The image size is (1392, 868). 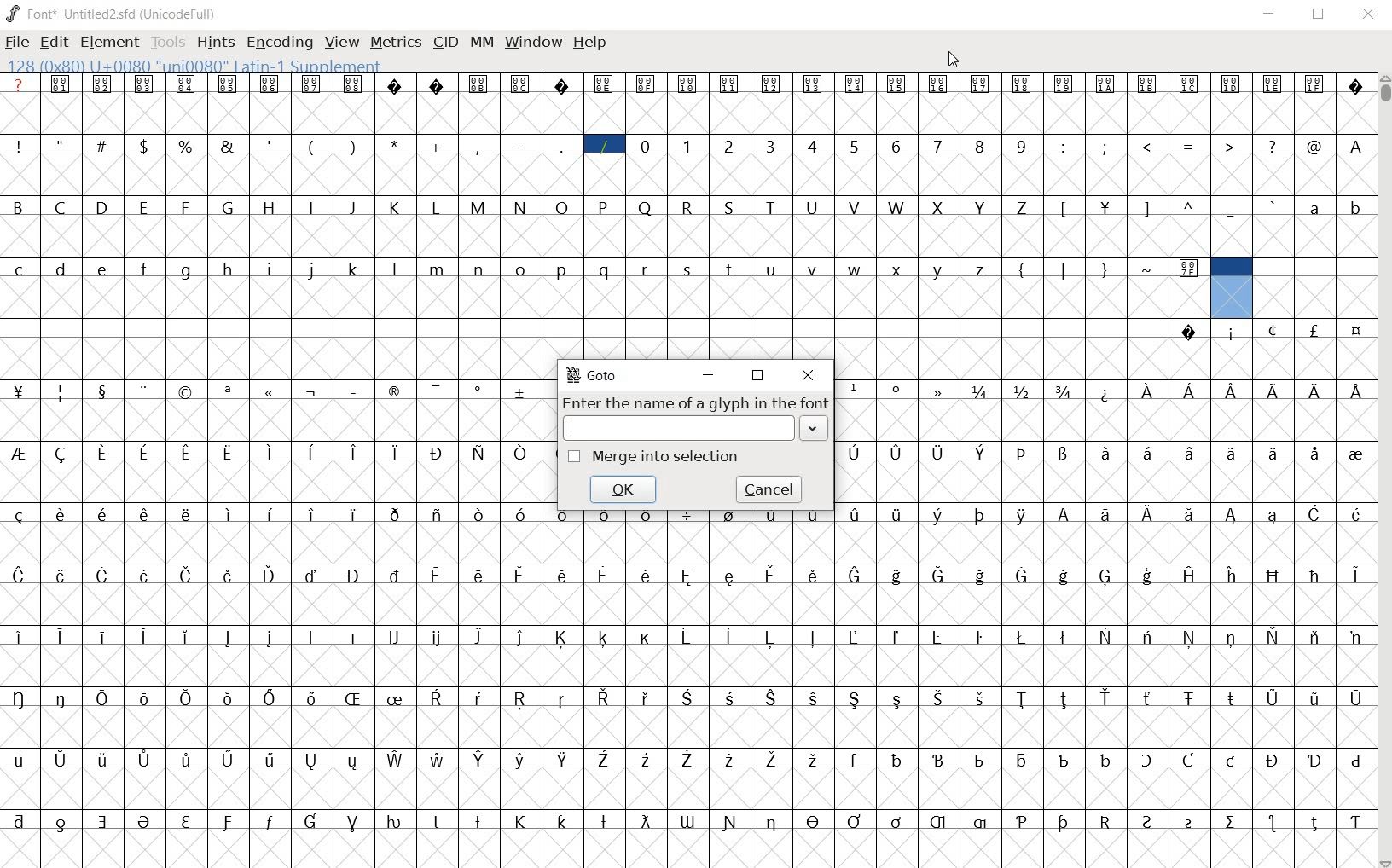 I want to click on Symbol, so click(x=942, y=757).